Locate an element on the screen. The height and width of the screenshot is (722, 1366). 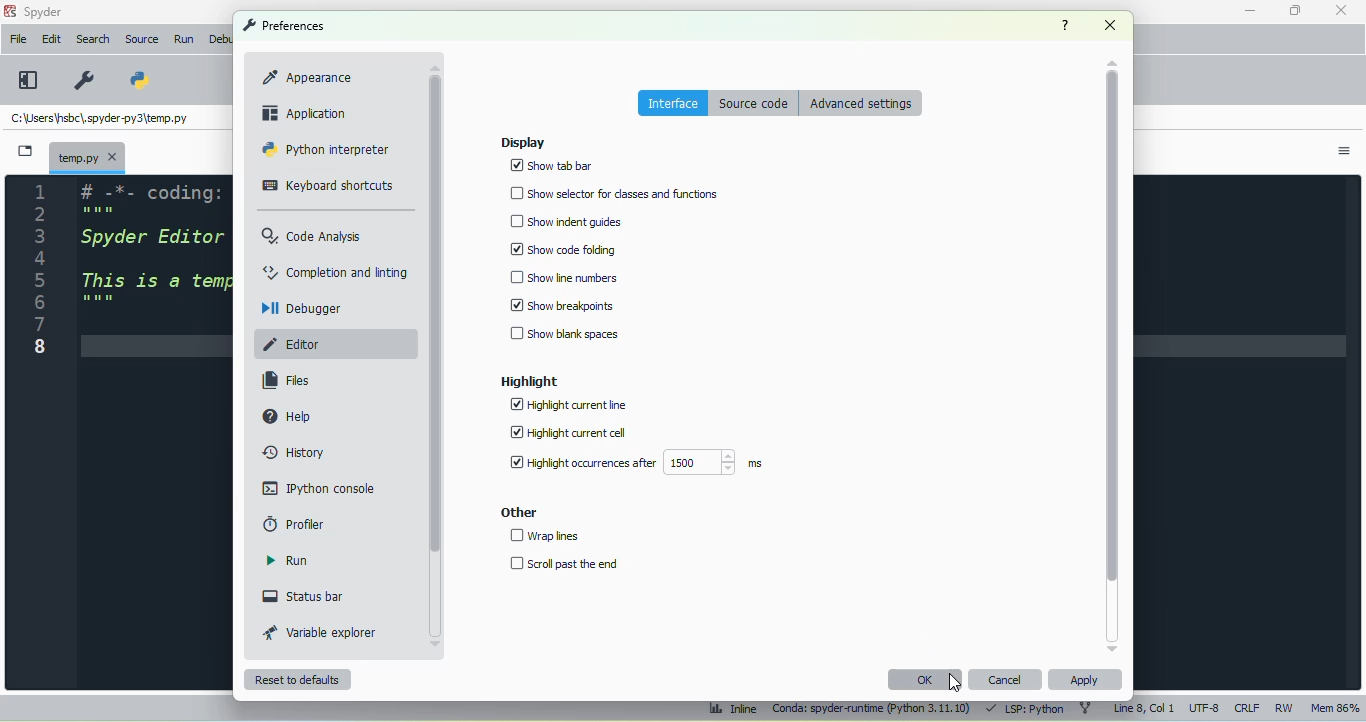
cursor is located at coordinates (956, 682).